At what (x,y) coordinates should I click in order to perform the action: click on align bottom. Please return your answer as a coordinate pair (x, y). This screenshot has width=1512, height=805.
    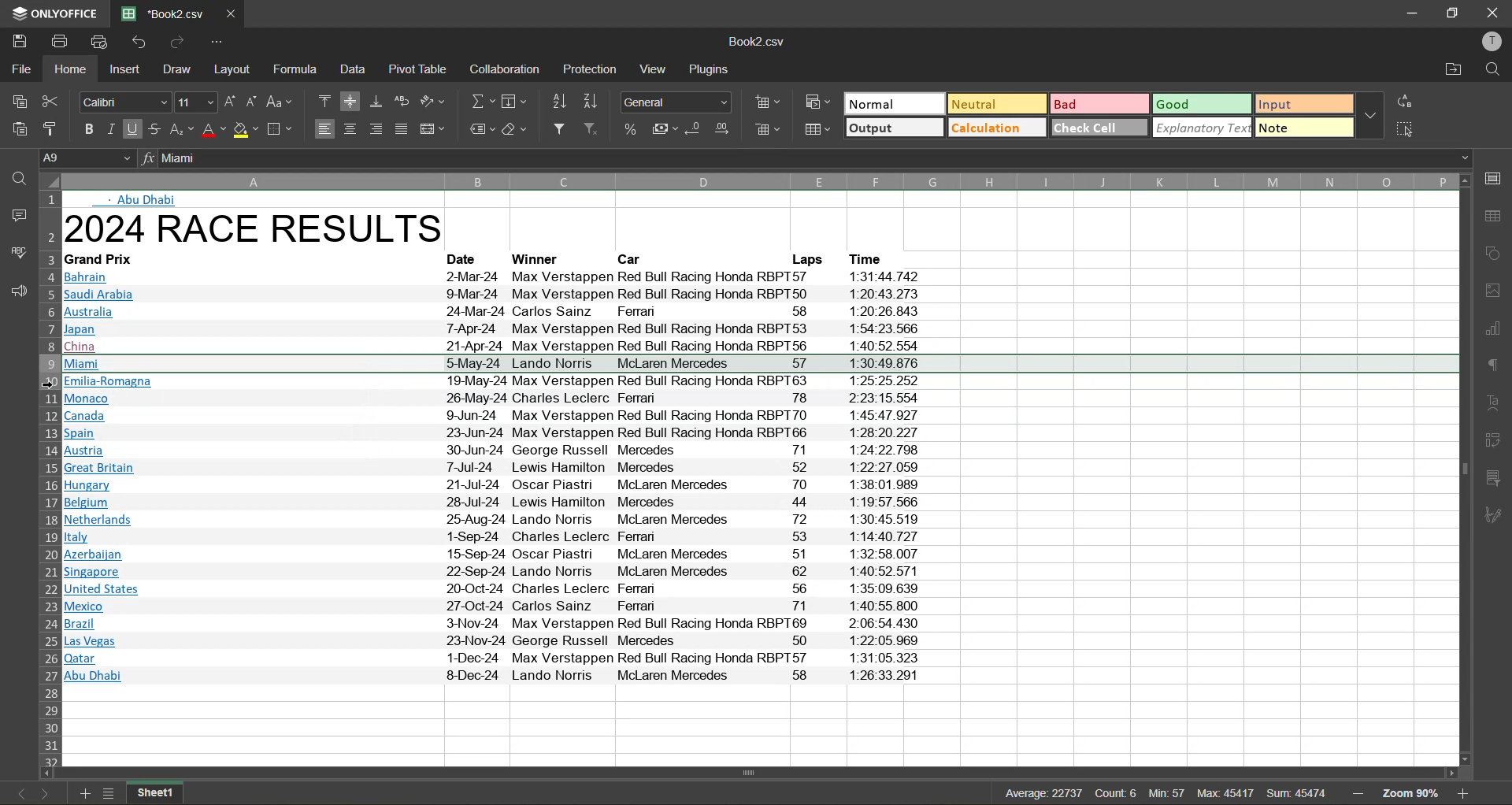
    Looking at the image, I should click on (375, 102).